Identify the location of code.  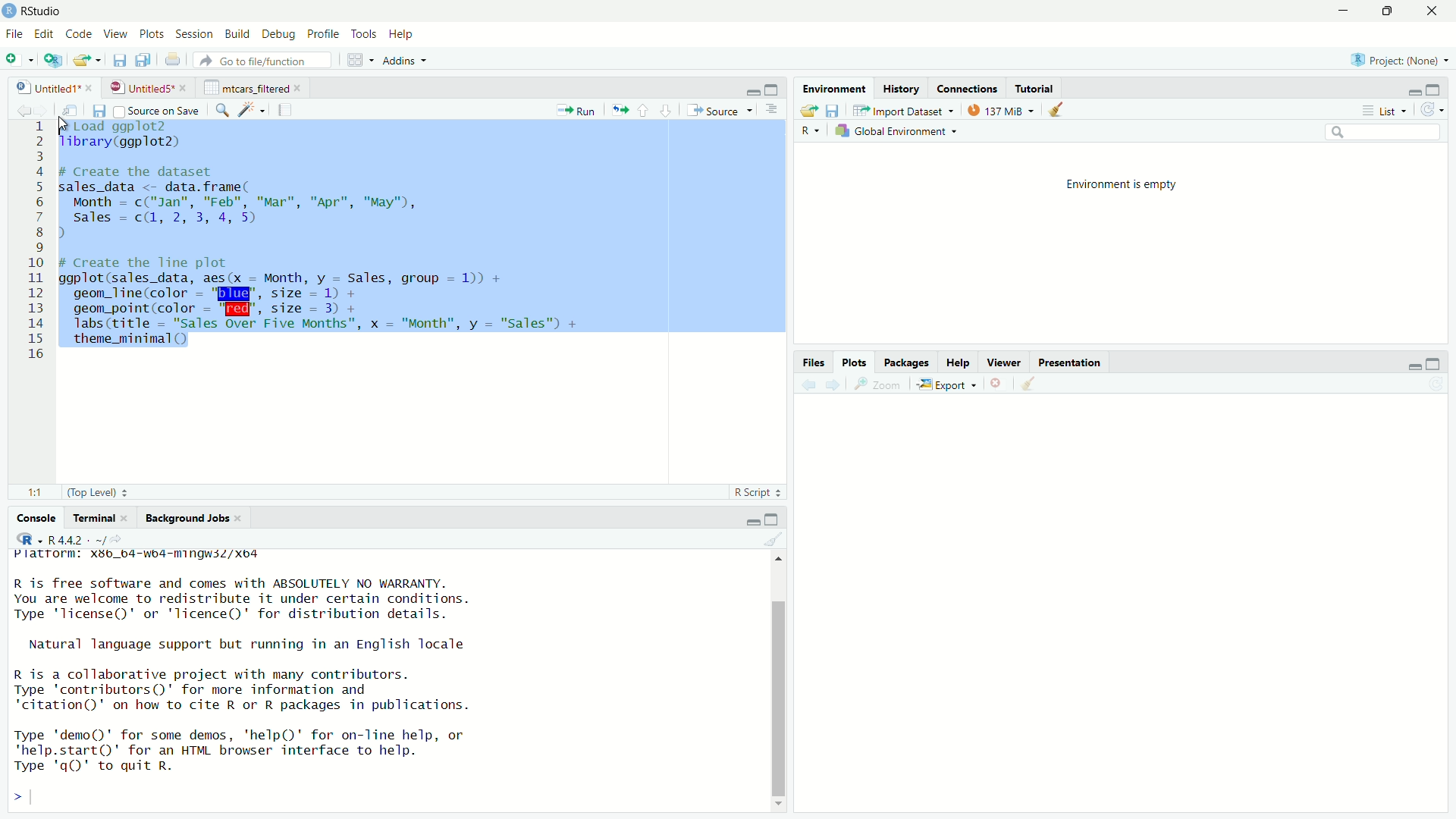
(81, 34).